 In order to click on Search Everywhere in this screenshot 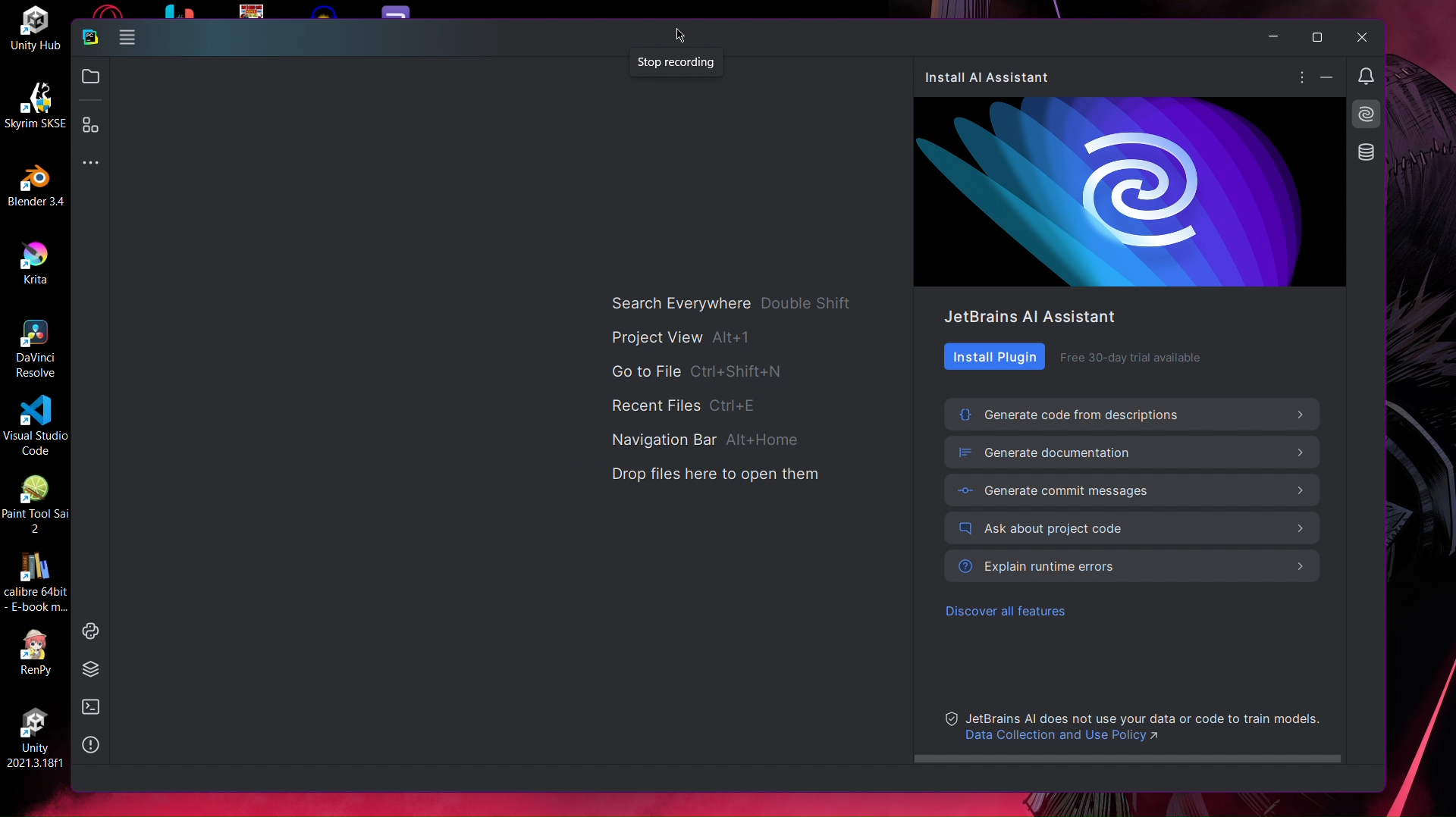, I will do `click(734, 305)`.